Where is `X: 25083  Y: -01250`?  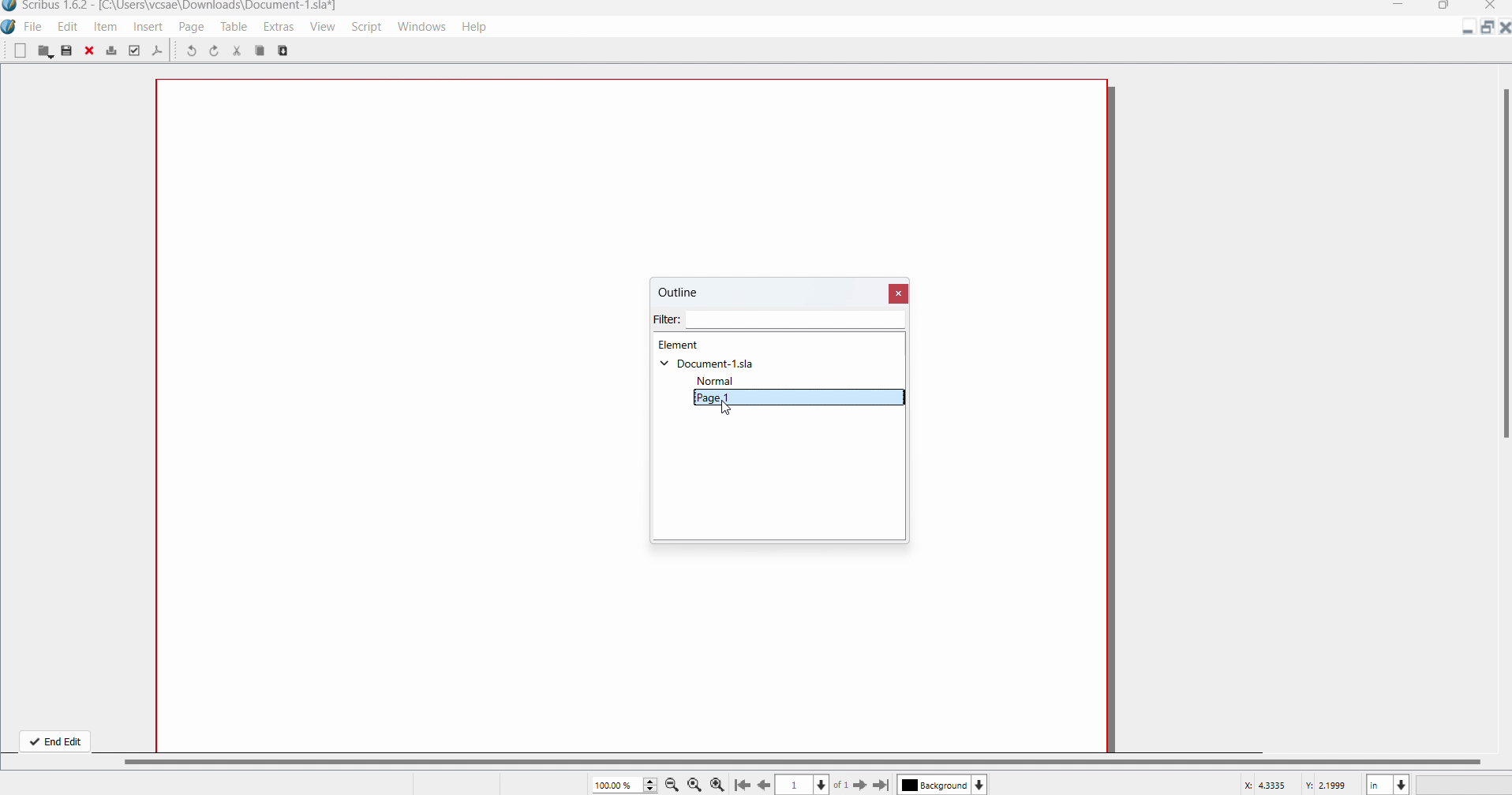 X: 25083  Y: -01250 is located at coordinates (1297, 784).